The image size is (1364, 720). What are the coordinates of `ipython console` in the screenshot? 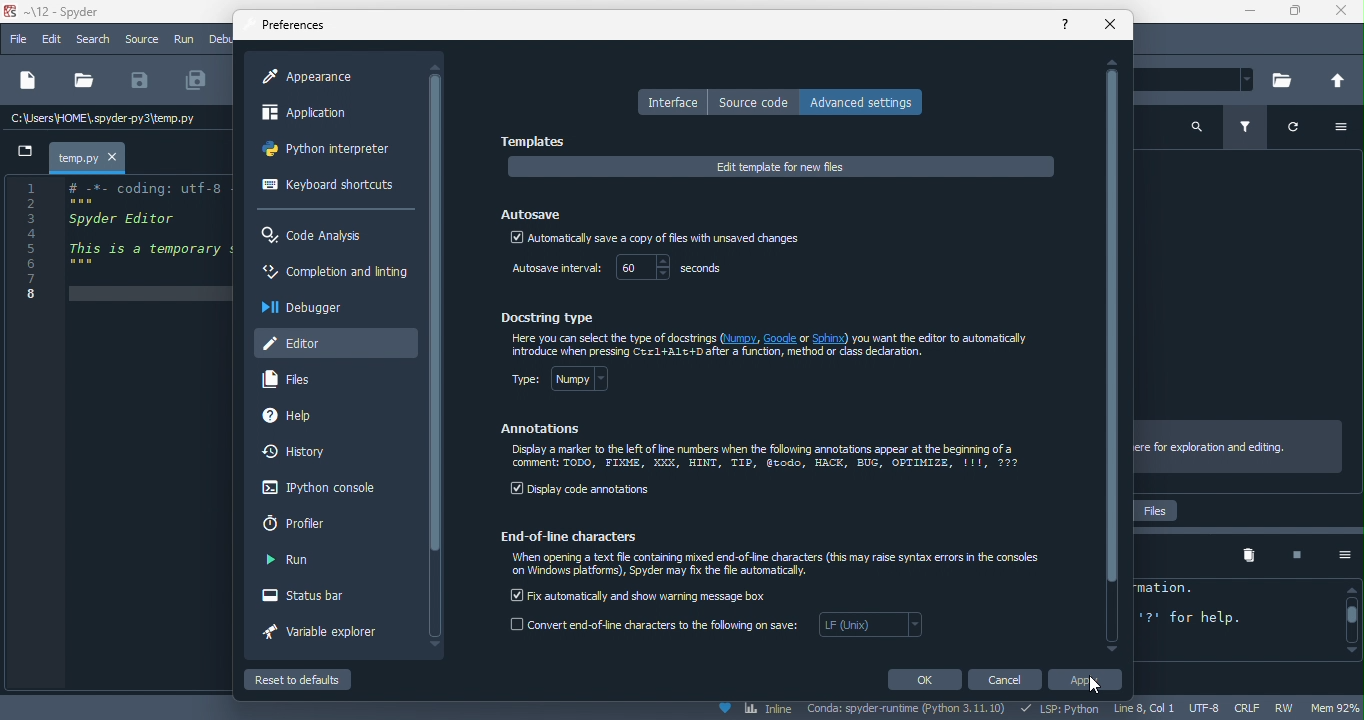 It's located at (315, 489).